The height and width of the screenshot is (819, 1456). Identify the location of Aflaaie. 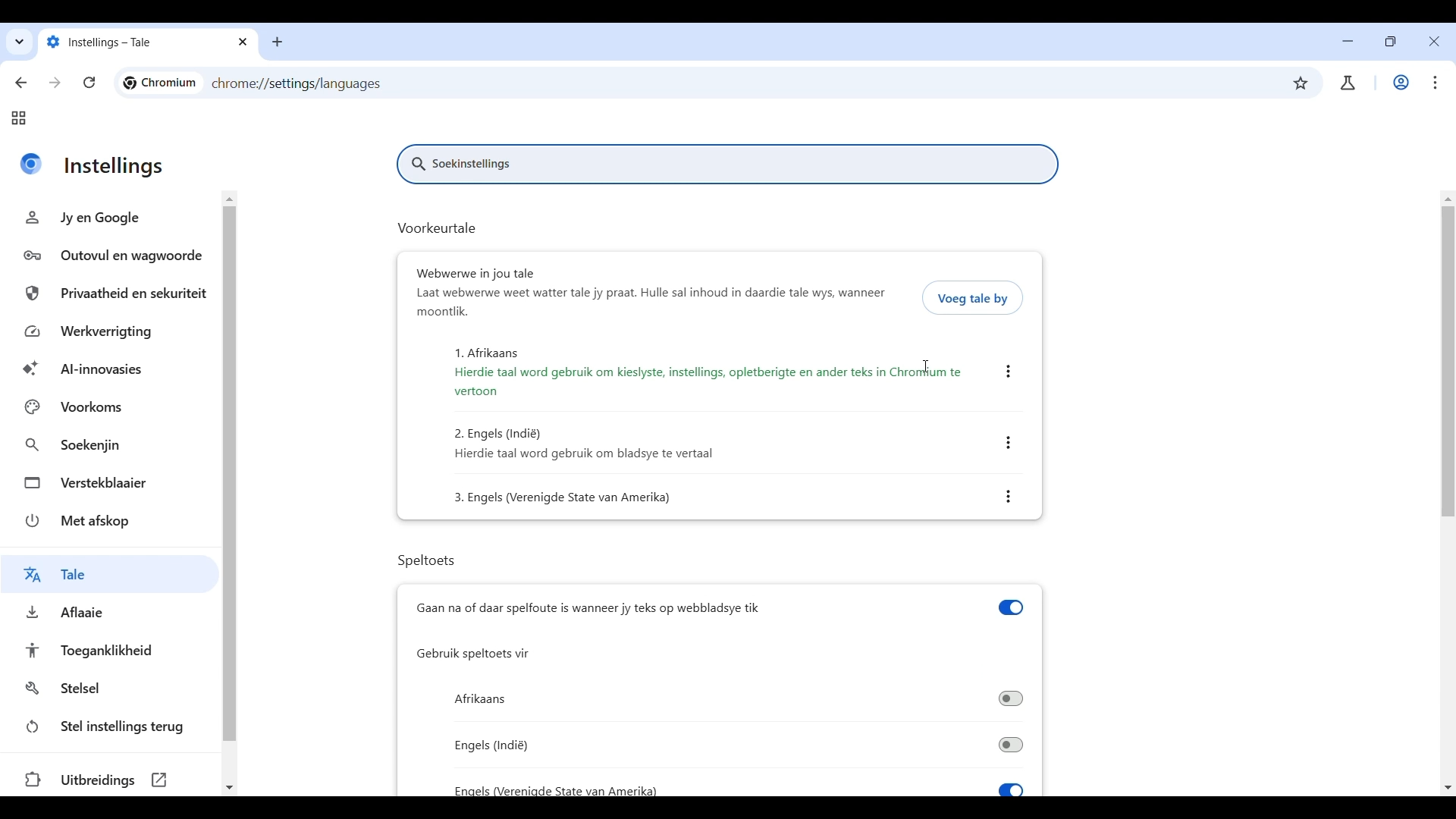
(82, 612).